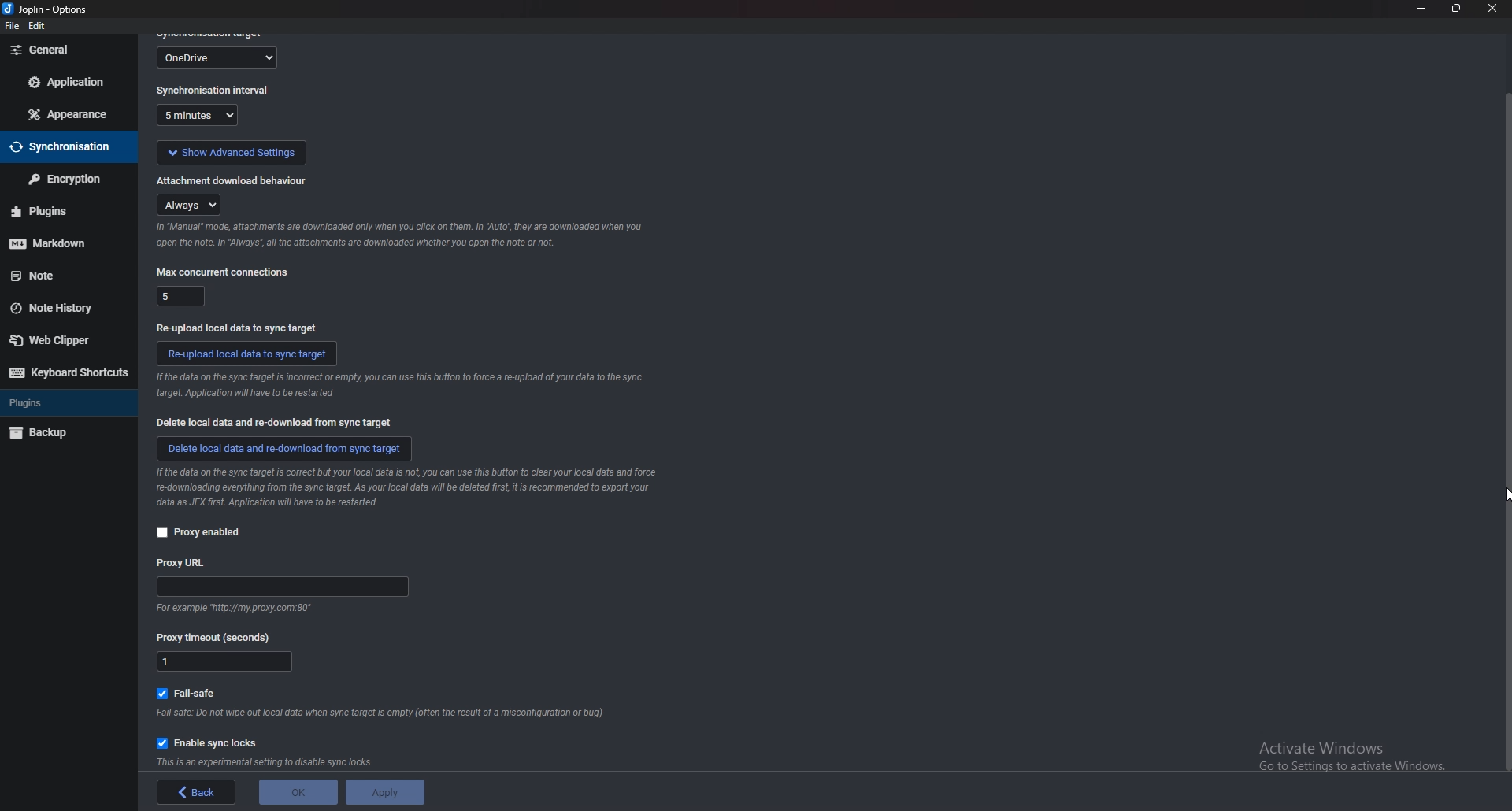  What do you see at coordinates (198, 532) in the screenshot?
I see `proxy enabled` at bounding box center [198, 532].